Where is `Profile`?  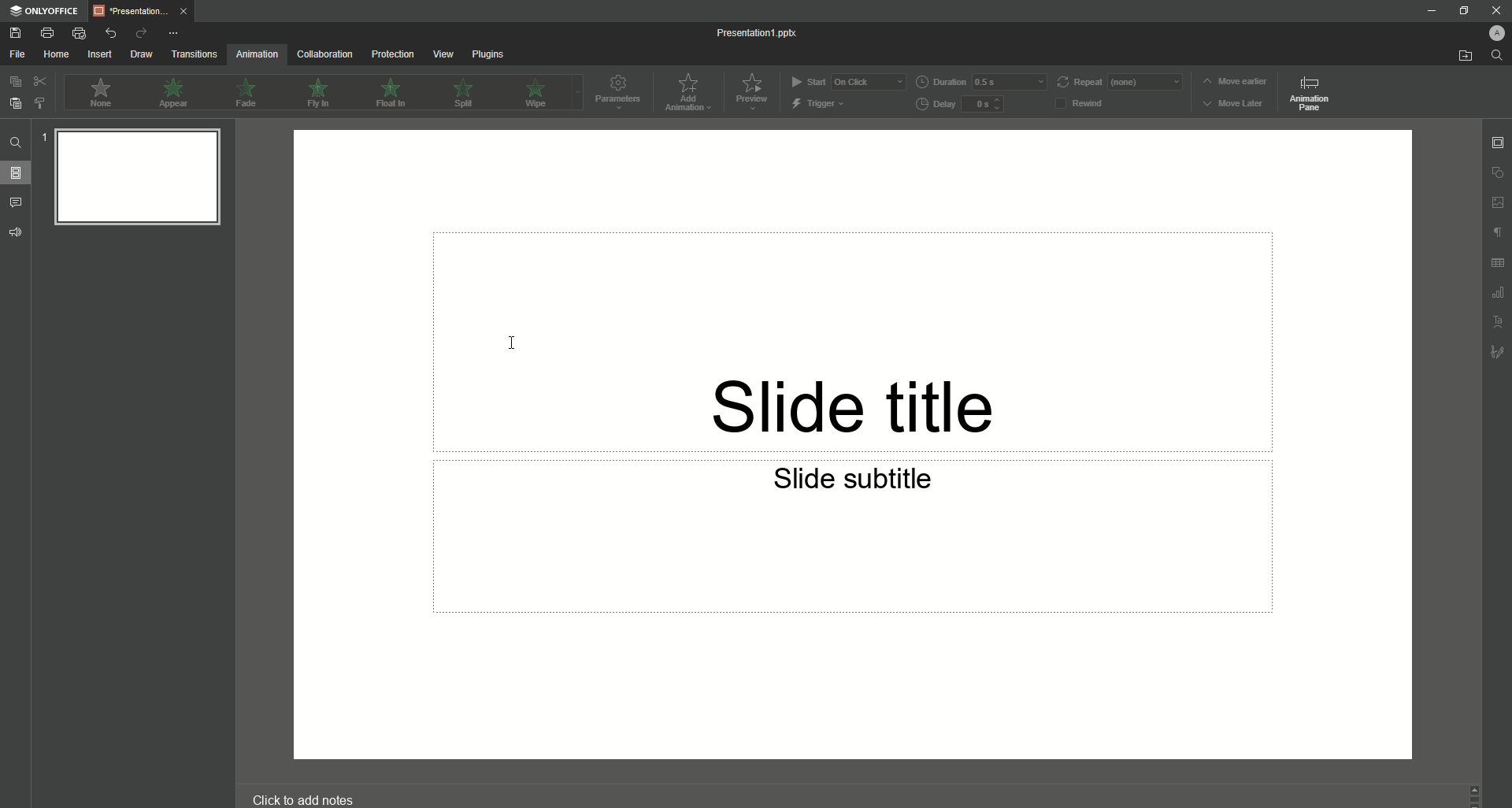
Profile is located at coordinates (1495, 32).